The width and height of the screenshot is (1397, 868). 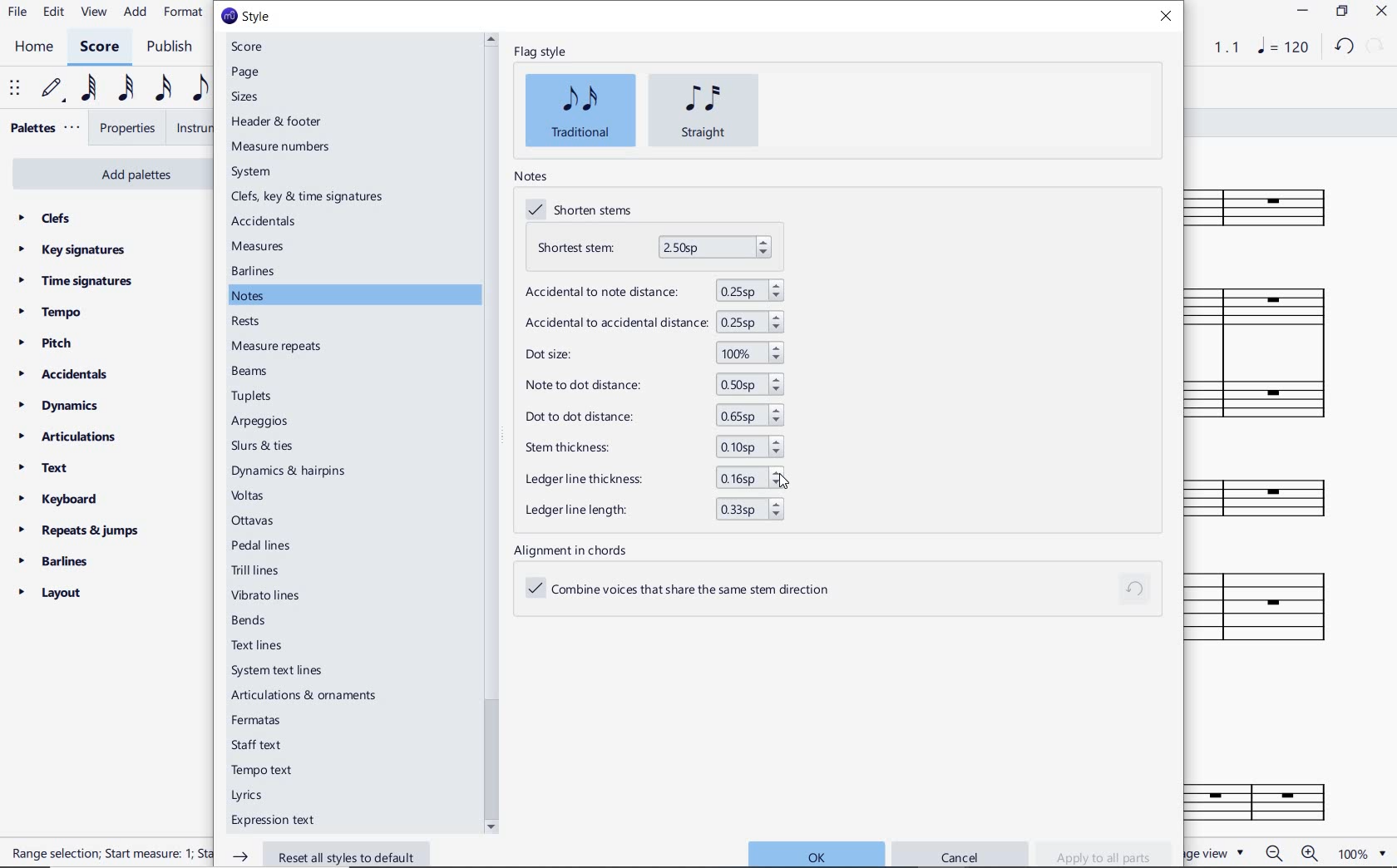 I want to click on repeats & jumps, so click(x=84, y=531).